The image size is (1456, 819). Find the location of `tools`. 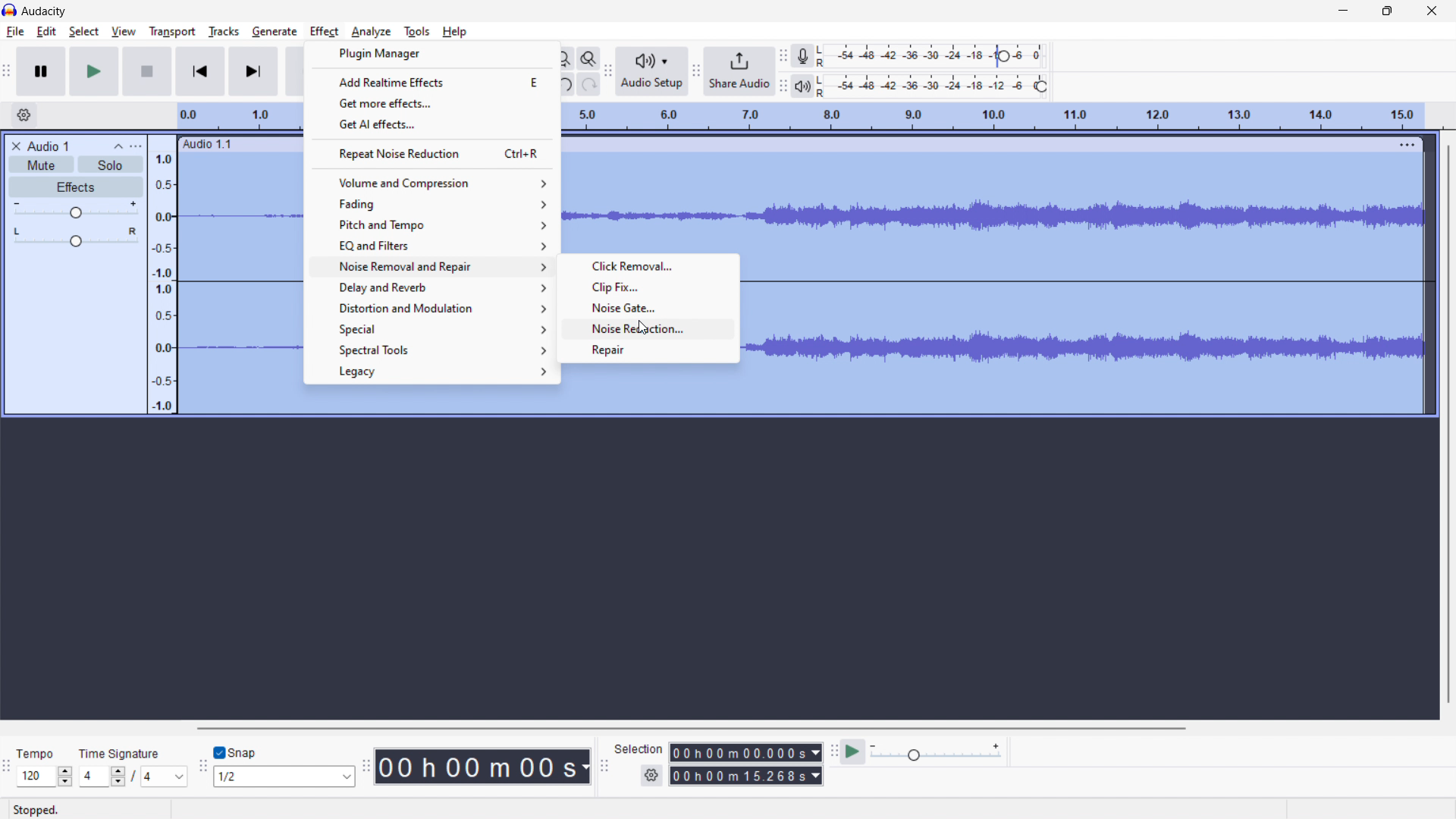

tools is located at coordinates (417, 32).